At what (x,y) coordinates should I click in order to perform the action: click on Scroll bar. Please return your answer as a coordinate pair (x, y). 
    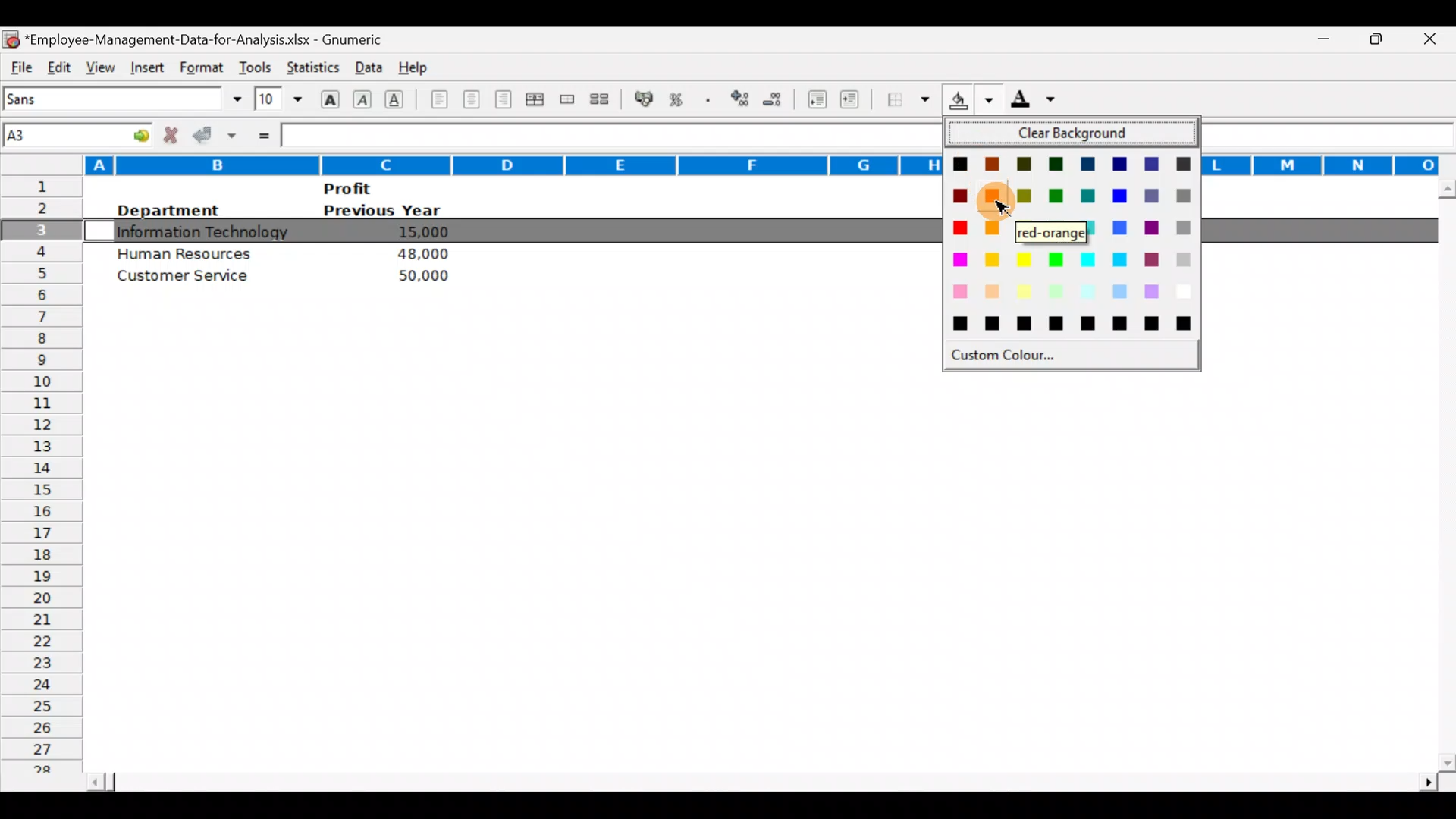
    Looking at the image, I should click on (759, 777).